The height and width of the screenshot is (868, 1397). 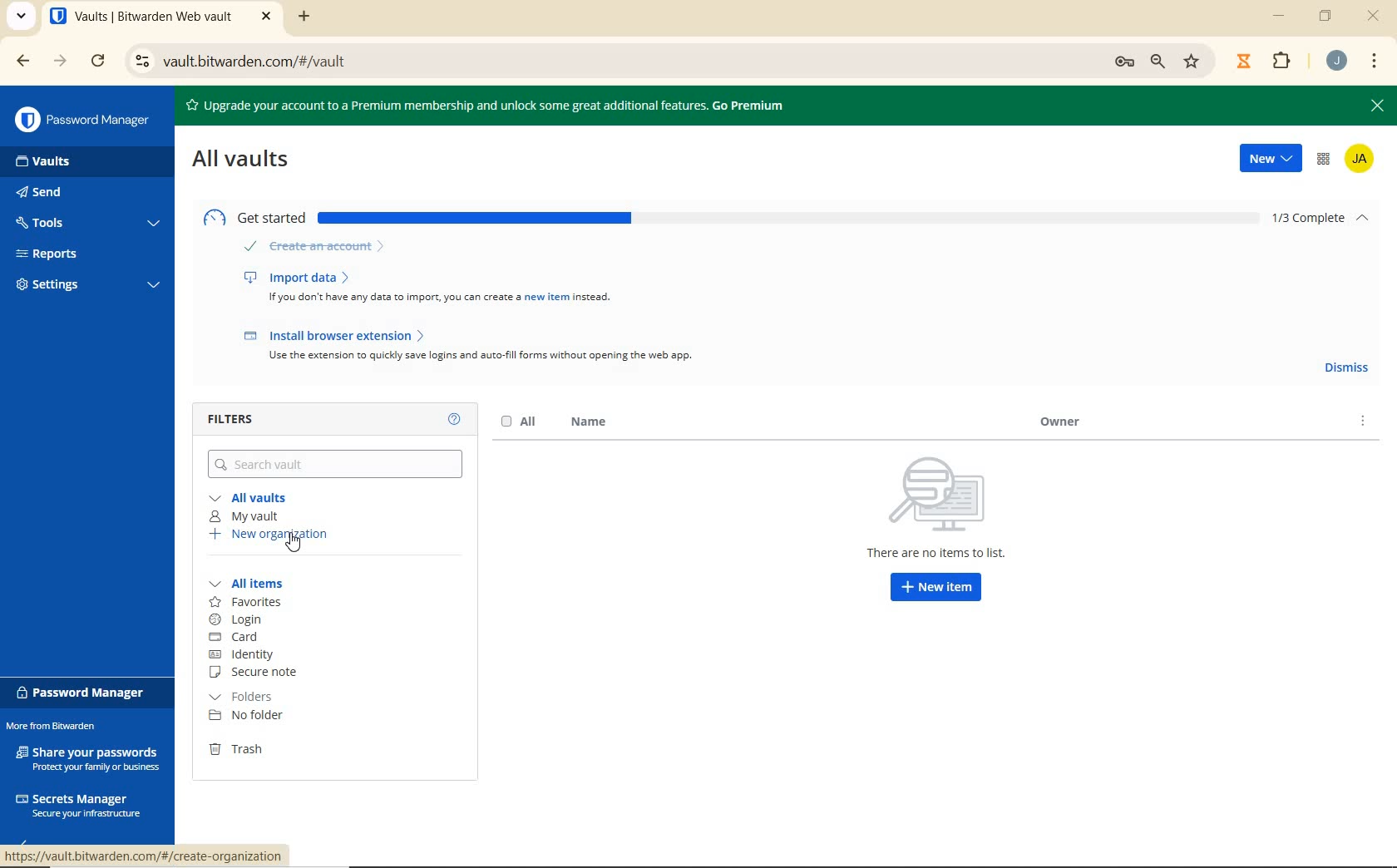 What do you see at coordinates (82, 120) in the screenshot?
I see `password manager` at bounding box center [82, 120].